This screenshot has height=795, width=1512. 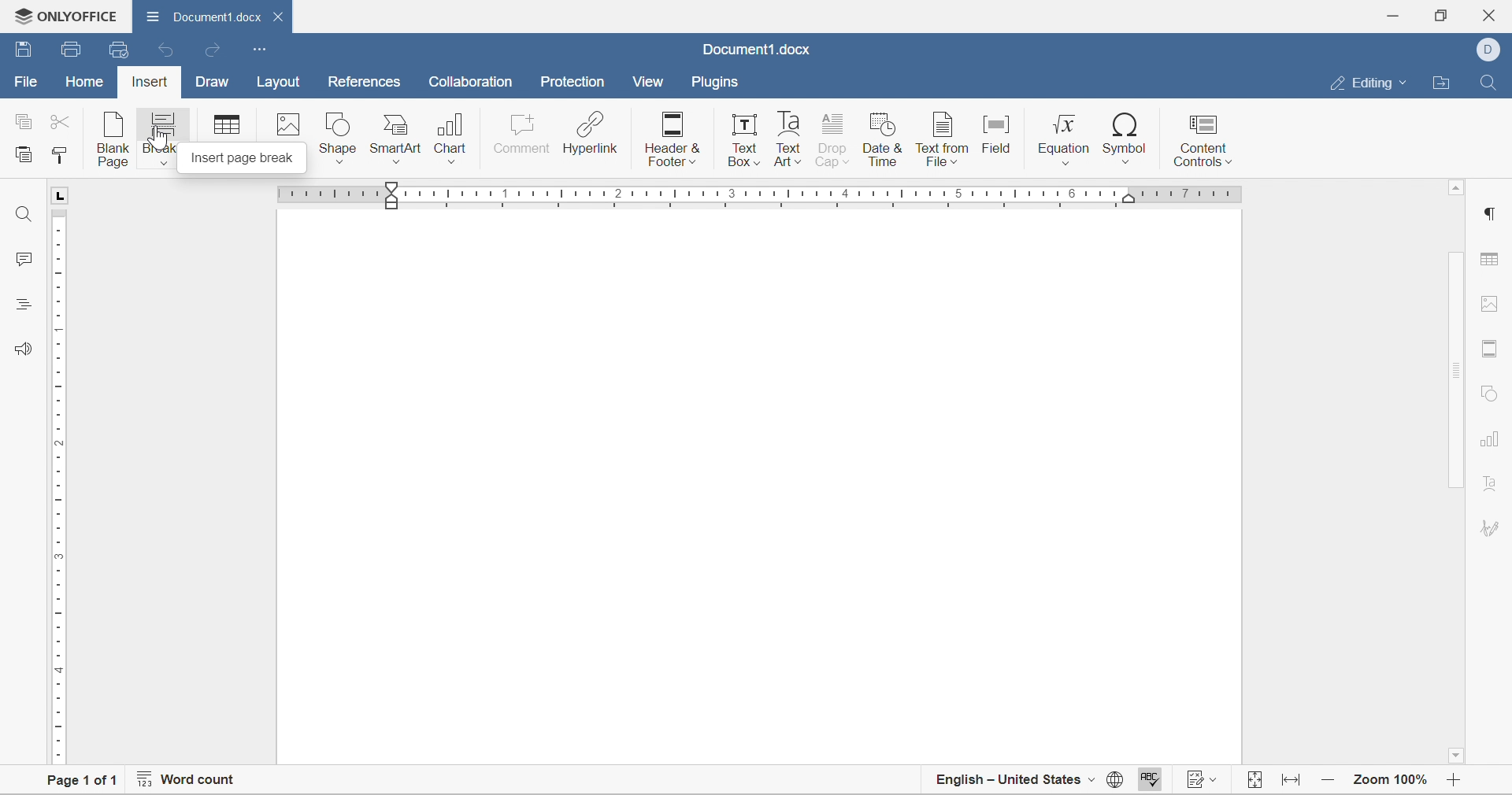 What do you see at coordinates (767, 194) in the screenshot?
I see `Ruler` at bounding box center [767, 194].